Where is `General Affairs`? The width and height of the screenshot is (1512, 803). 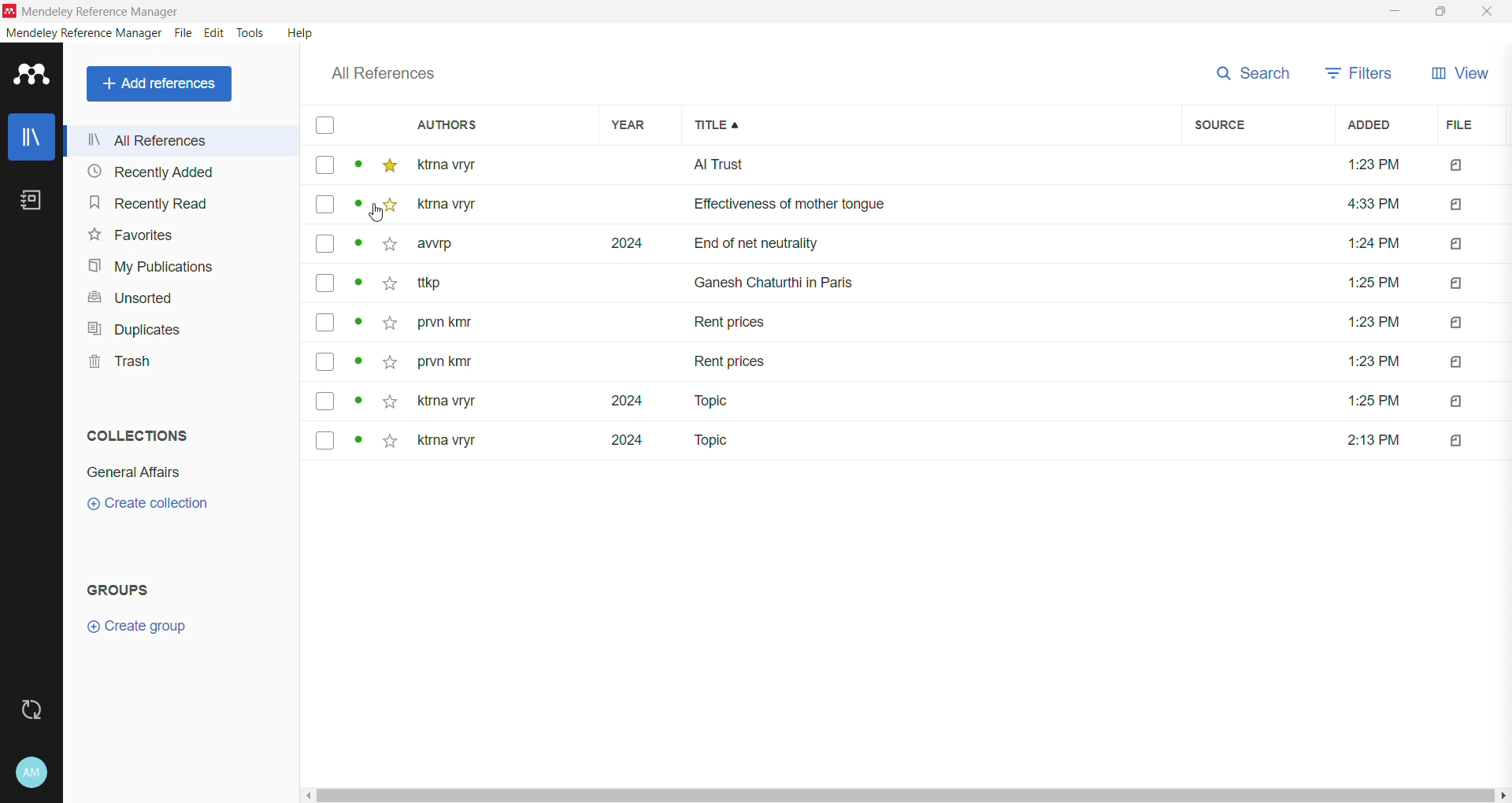 General Affairs is located at coordinates (134, 472).